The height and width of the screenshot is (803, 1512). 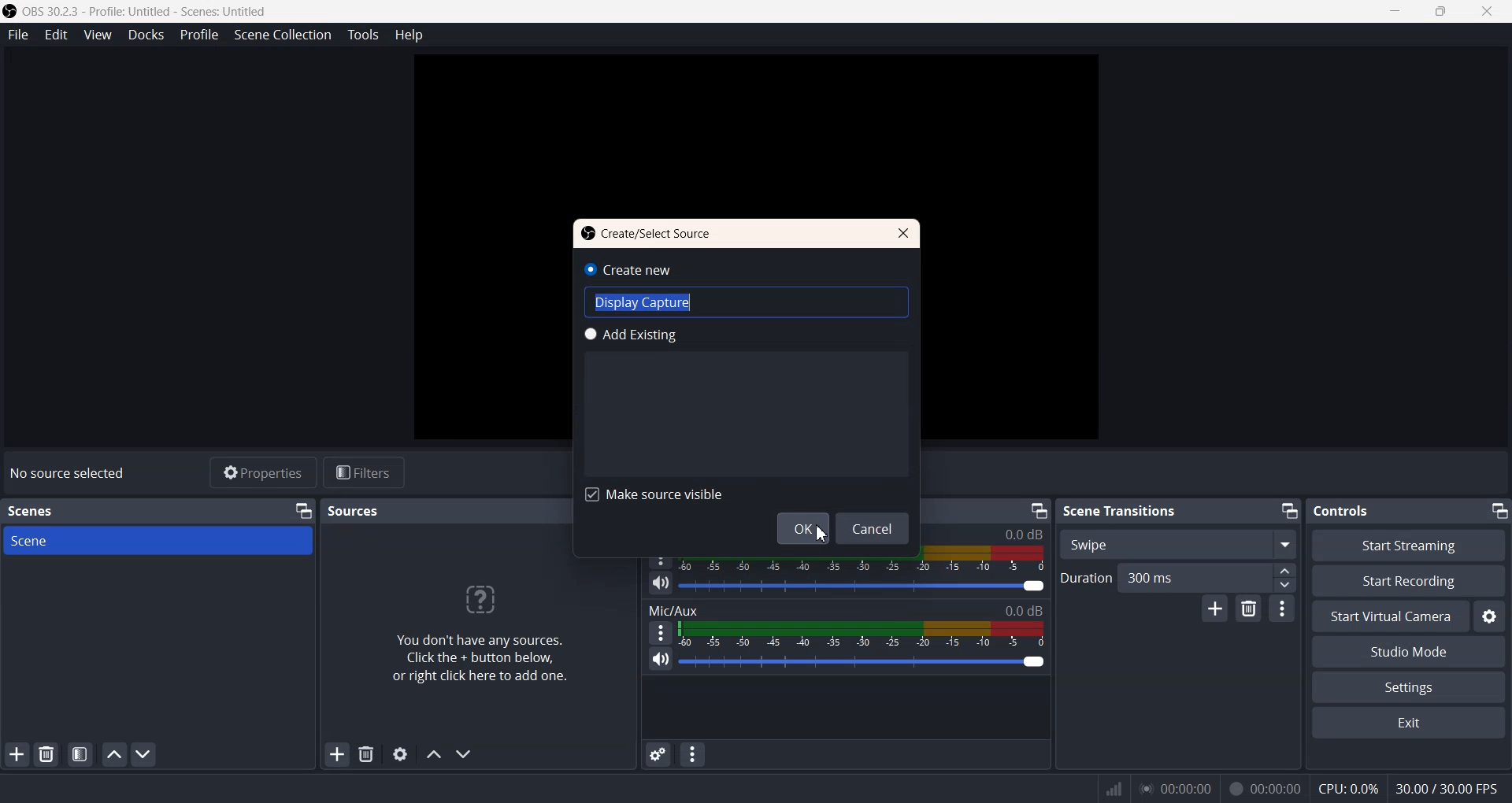 I want to click on Cursor, so click(x=820, y=533).